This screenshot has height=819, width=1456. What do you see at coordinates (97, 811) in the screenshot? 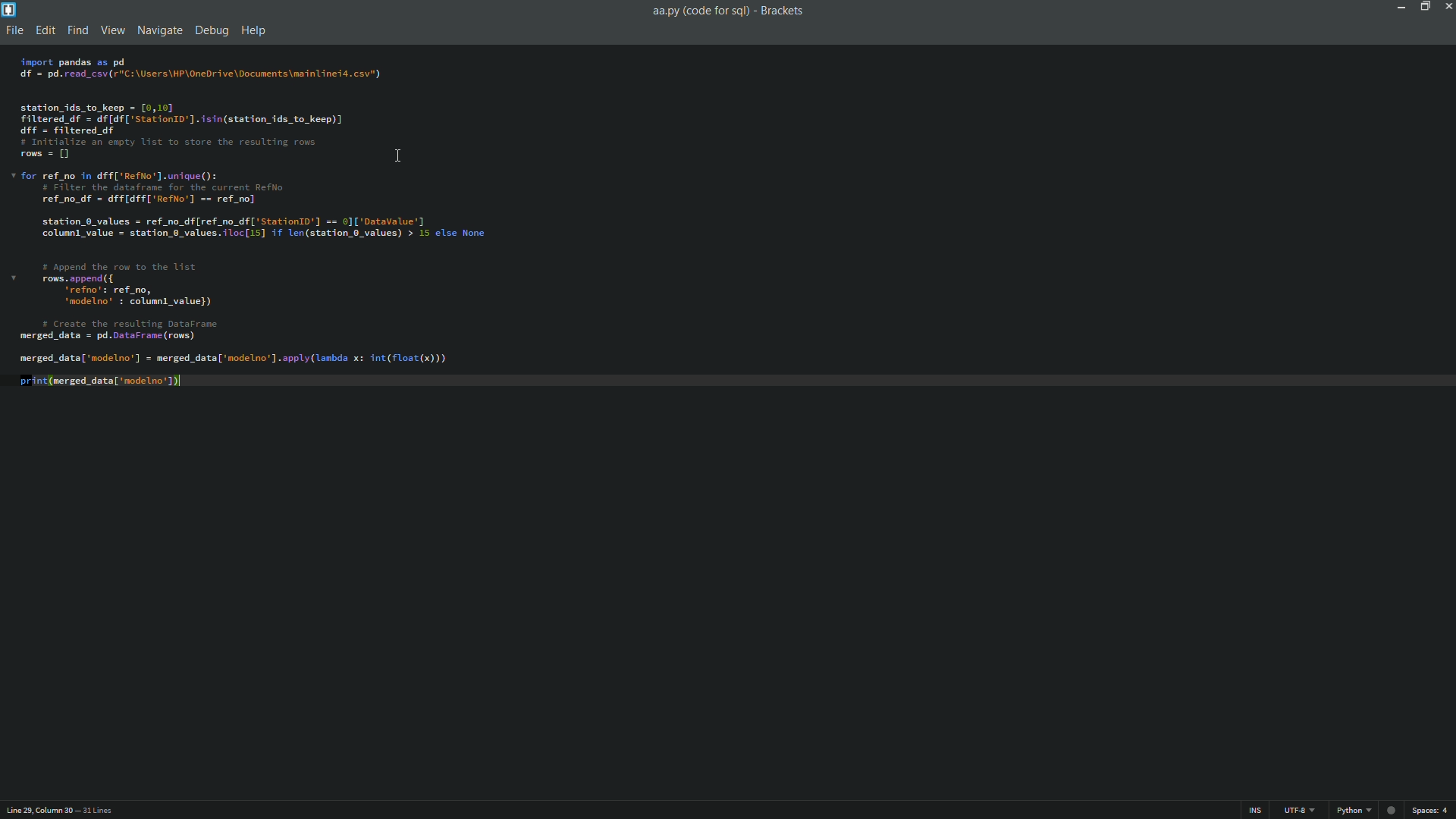
I see `number of lines` at bounding box center [97, 811].